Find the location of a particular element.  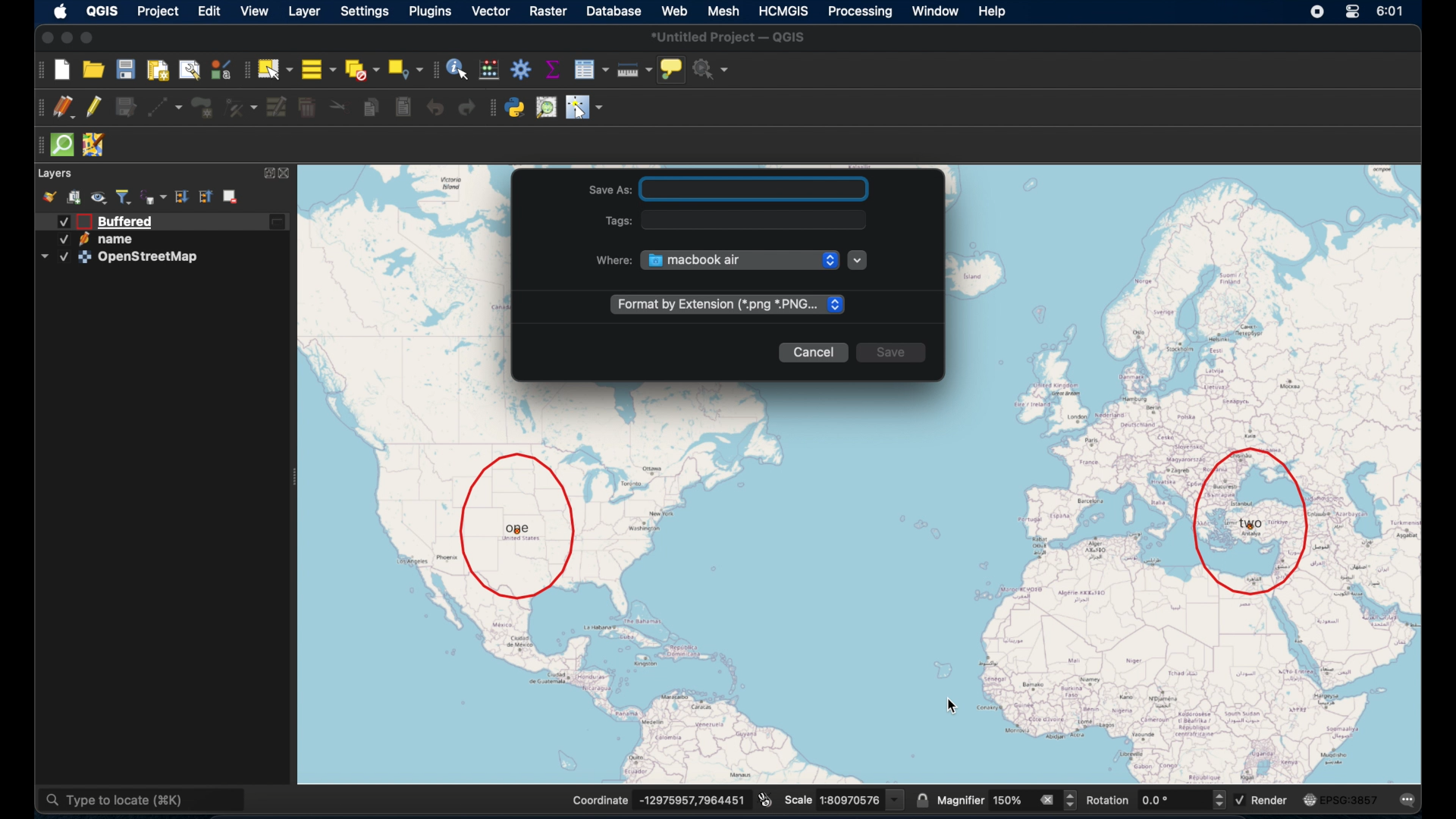

expand is located at coordinates (267, 174).